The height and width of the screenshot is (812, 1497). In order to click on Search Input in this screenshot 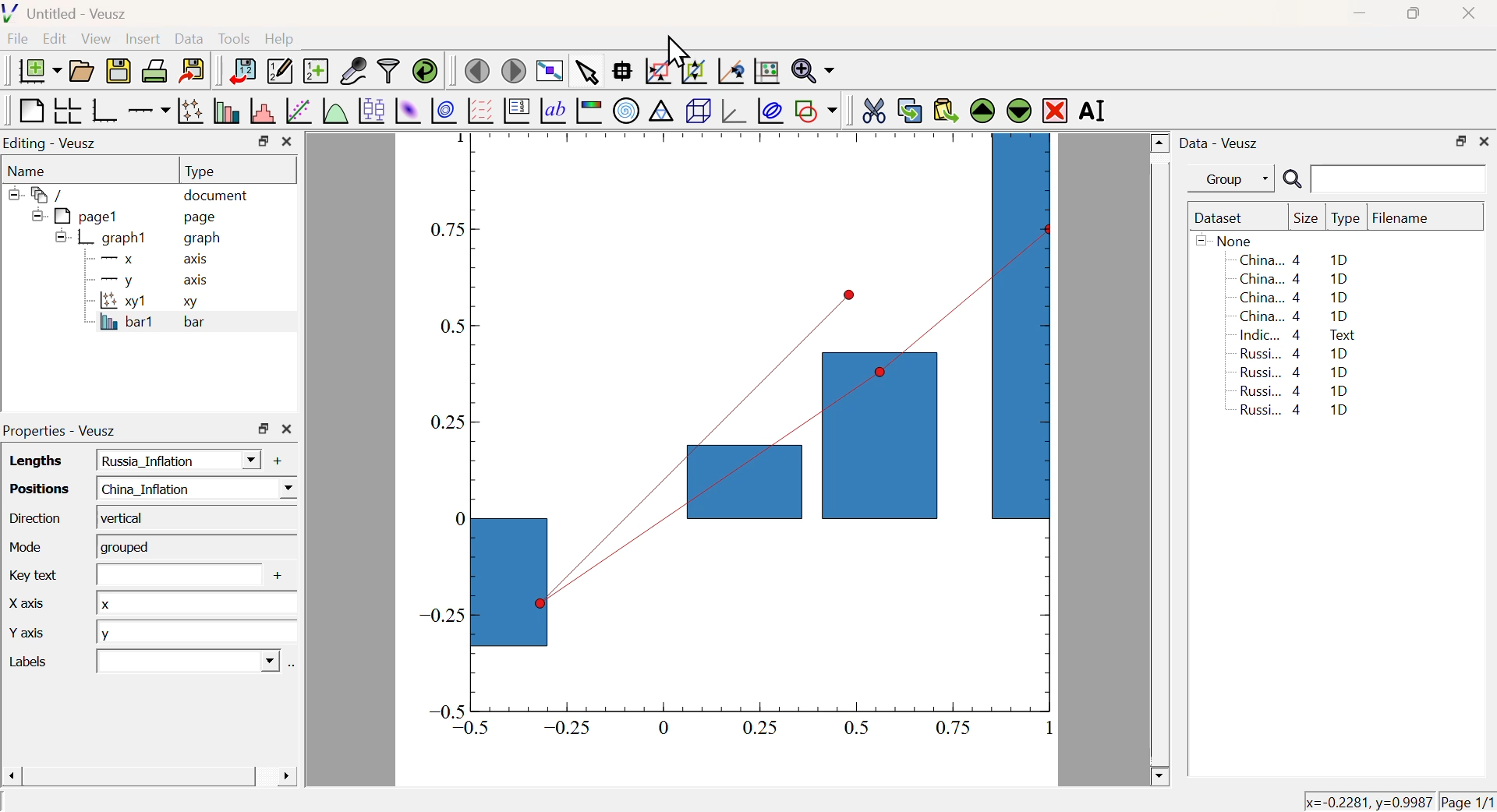, I will do `click(1400, 178)`.